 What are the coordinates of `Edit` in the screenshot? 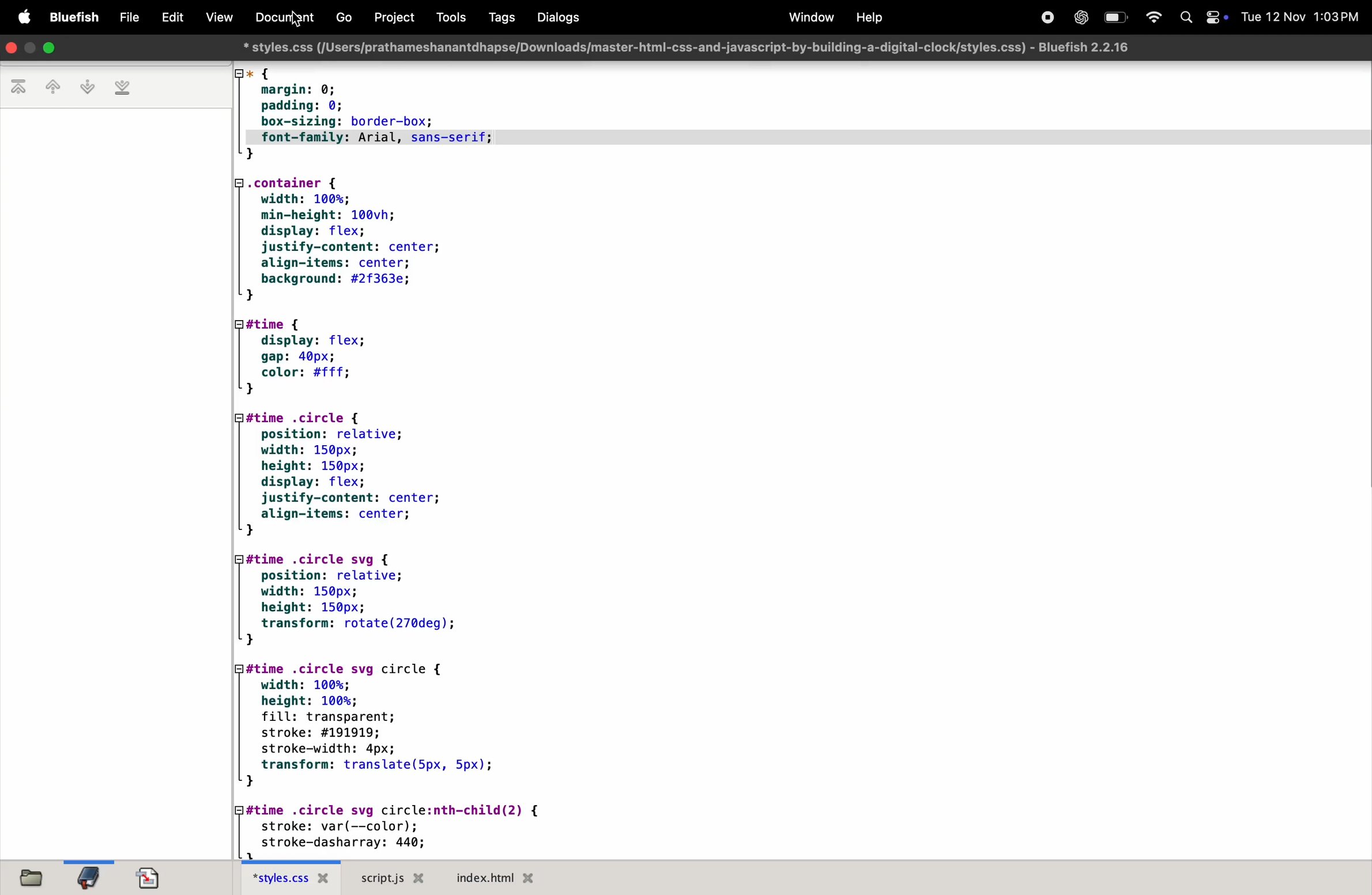 It's located at (168, 17).